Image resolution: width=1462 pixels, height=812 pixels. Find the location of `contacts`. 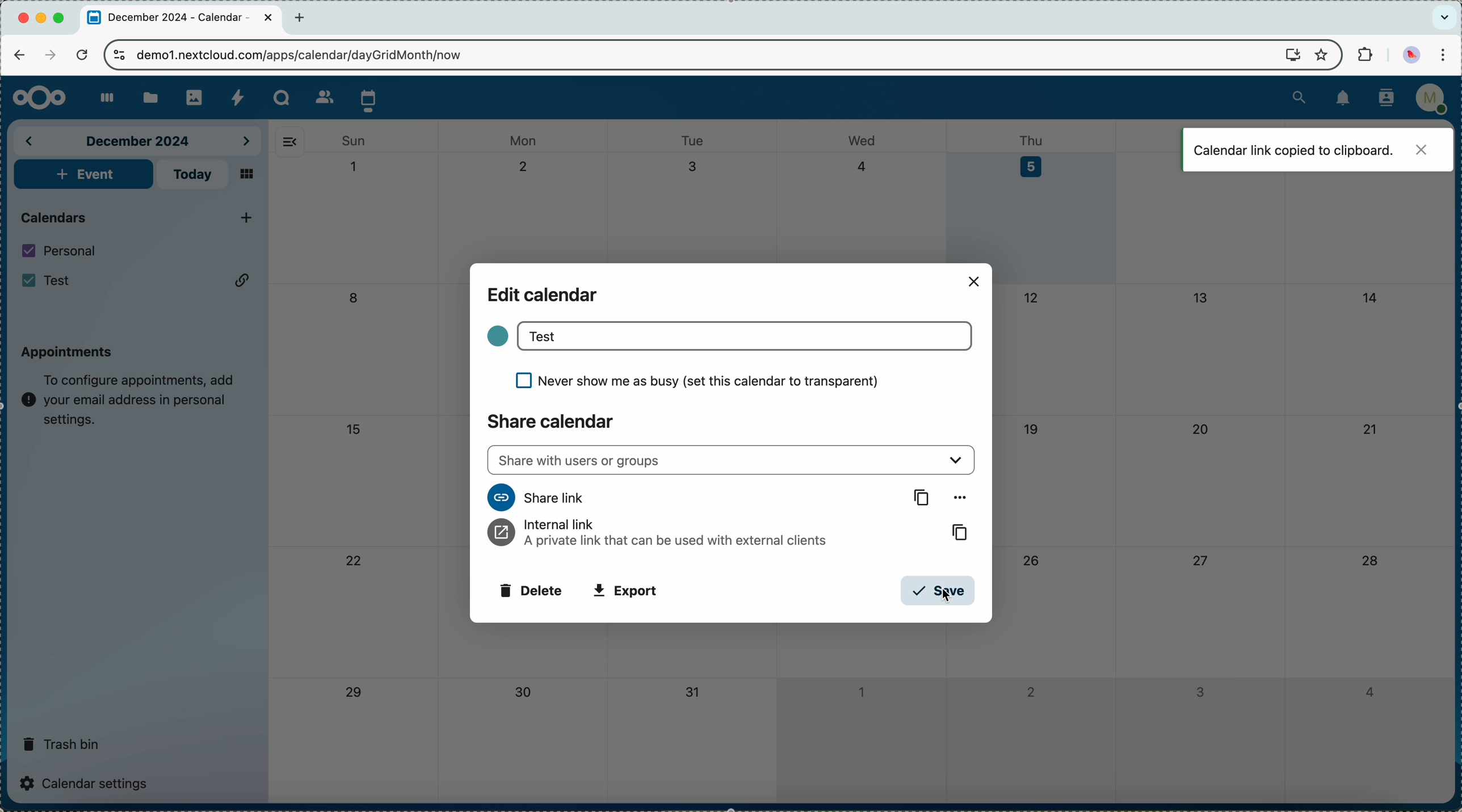

contacts is located at coordinates (321, 96).